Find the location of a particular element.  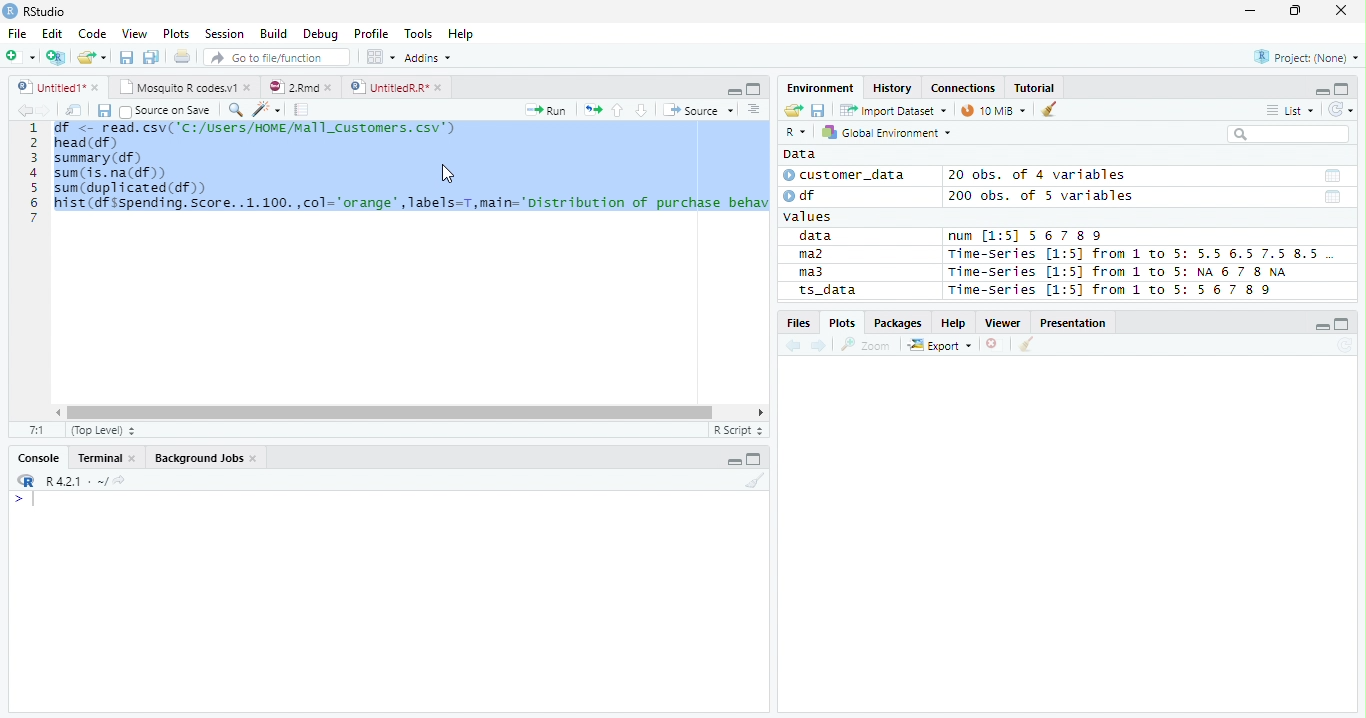

Minimize is located at coordinates (1323, 328).